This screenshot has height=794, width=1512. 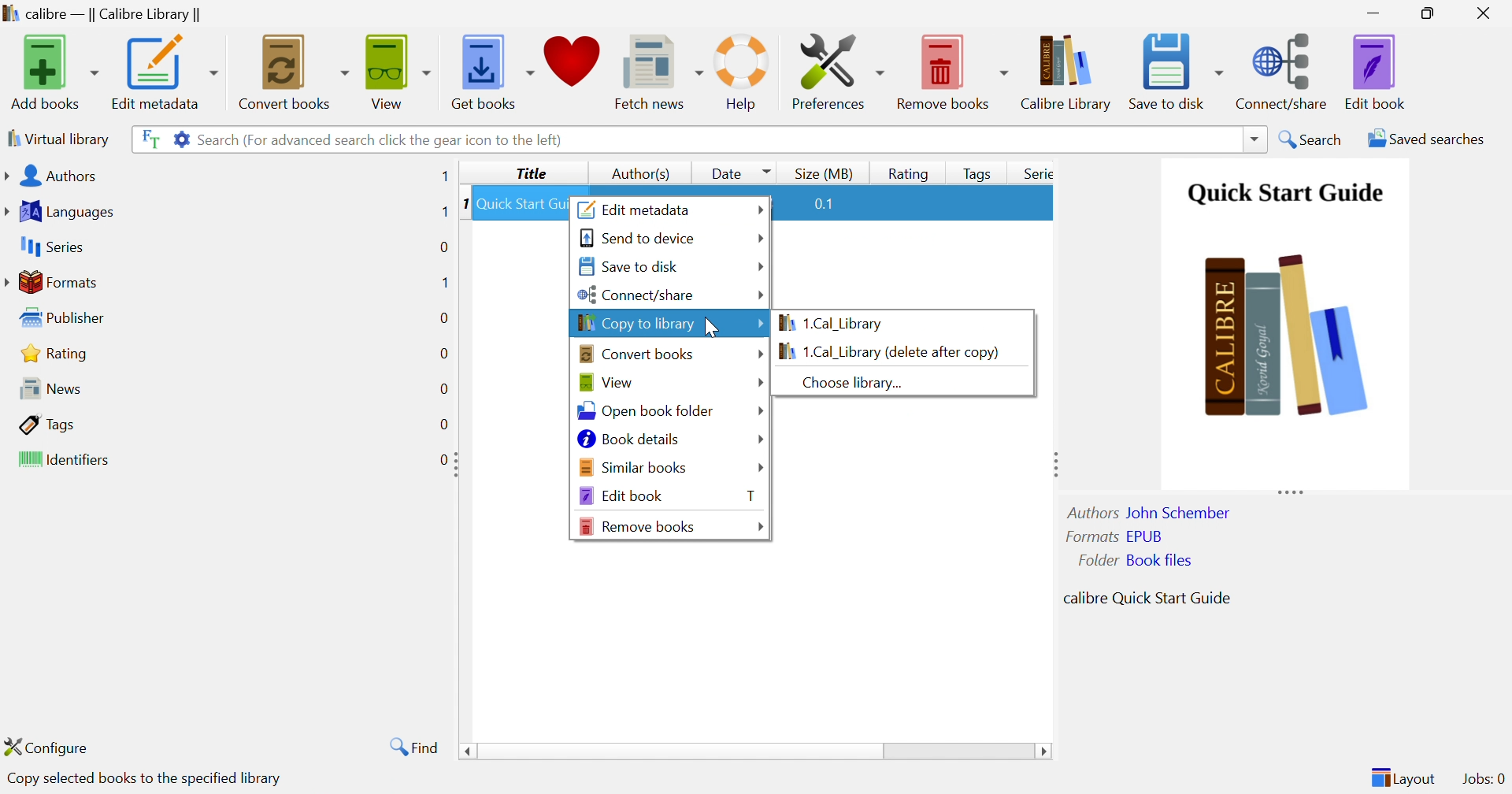 I want to click on 1, so click(x=444, y=176).